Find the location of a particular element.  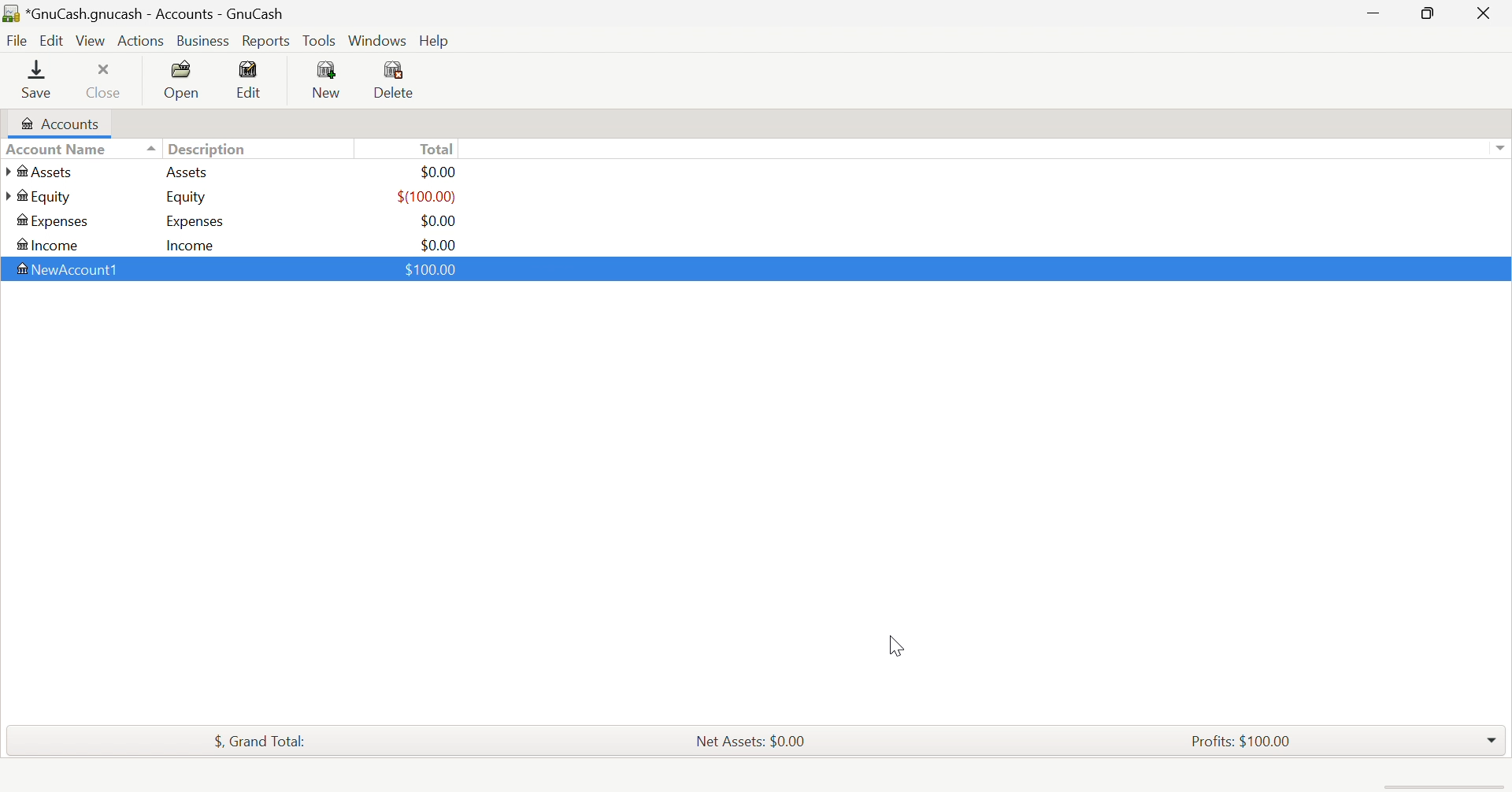

Edit is located at coordinates (51, 39).